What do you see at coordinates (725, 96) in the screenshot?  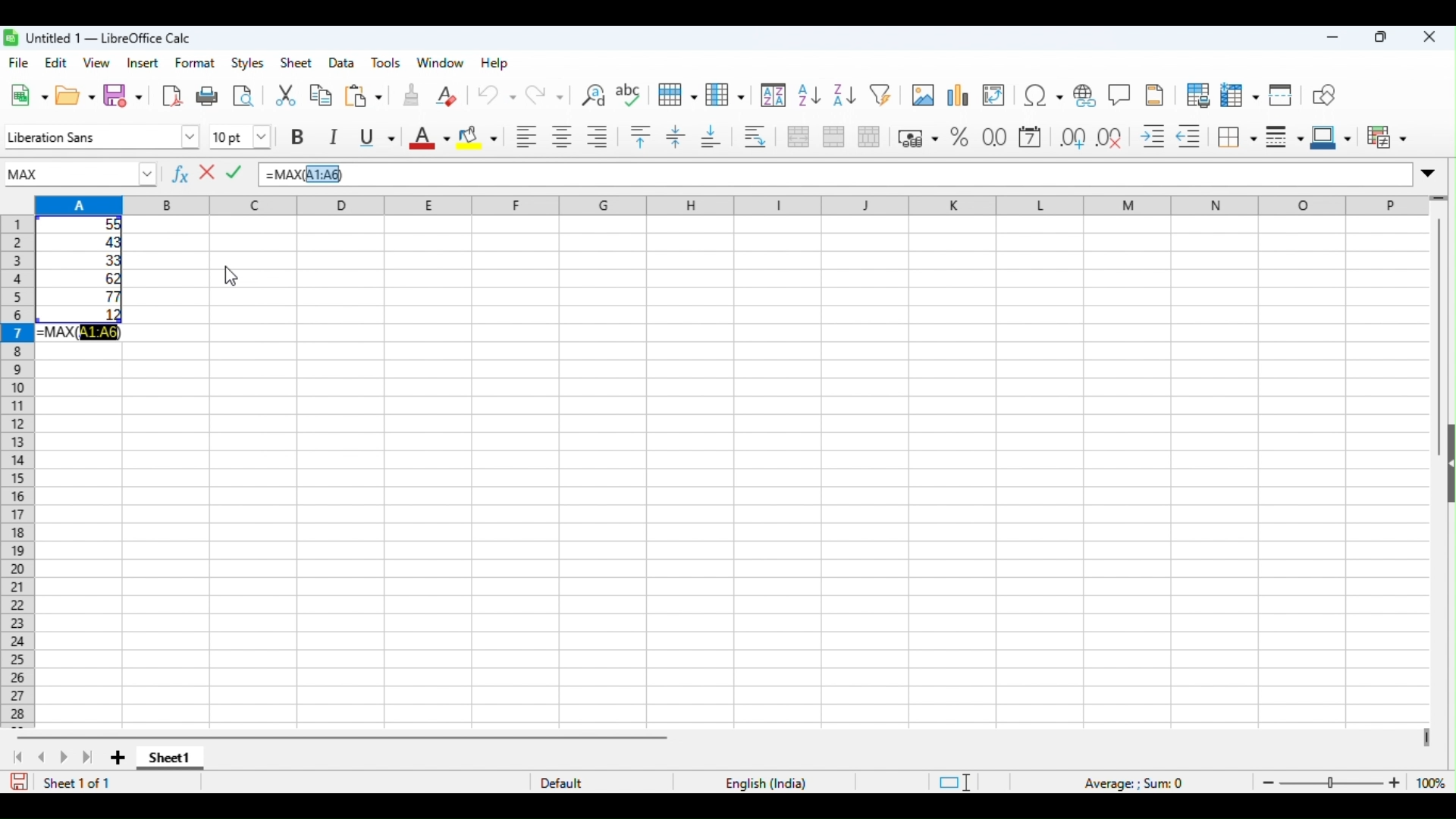 I see `column` at bounding box center [725, 96].